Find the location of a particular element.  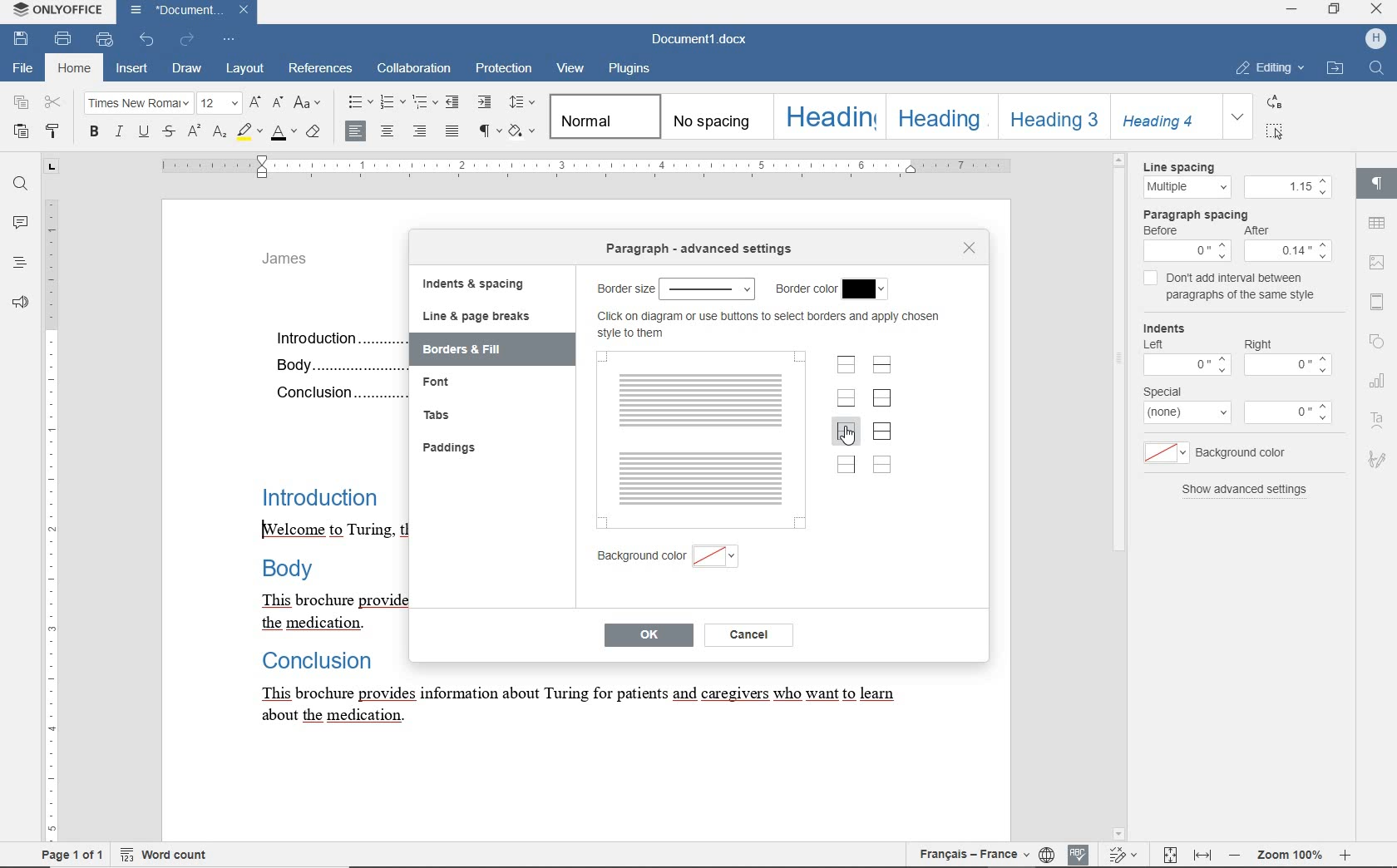

copy is located at coordinates (23, 104).